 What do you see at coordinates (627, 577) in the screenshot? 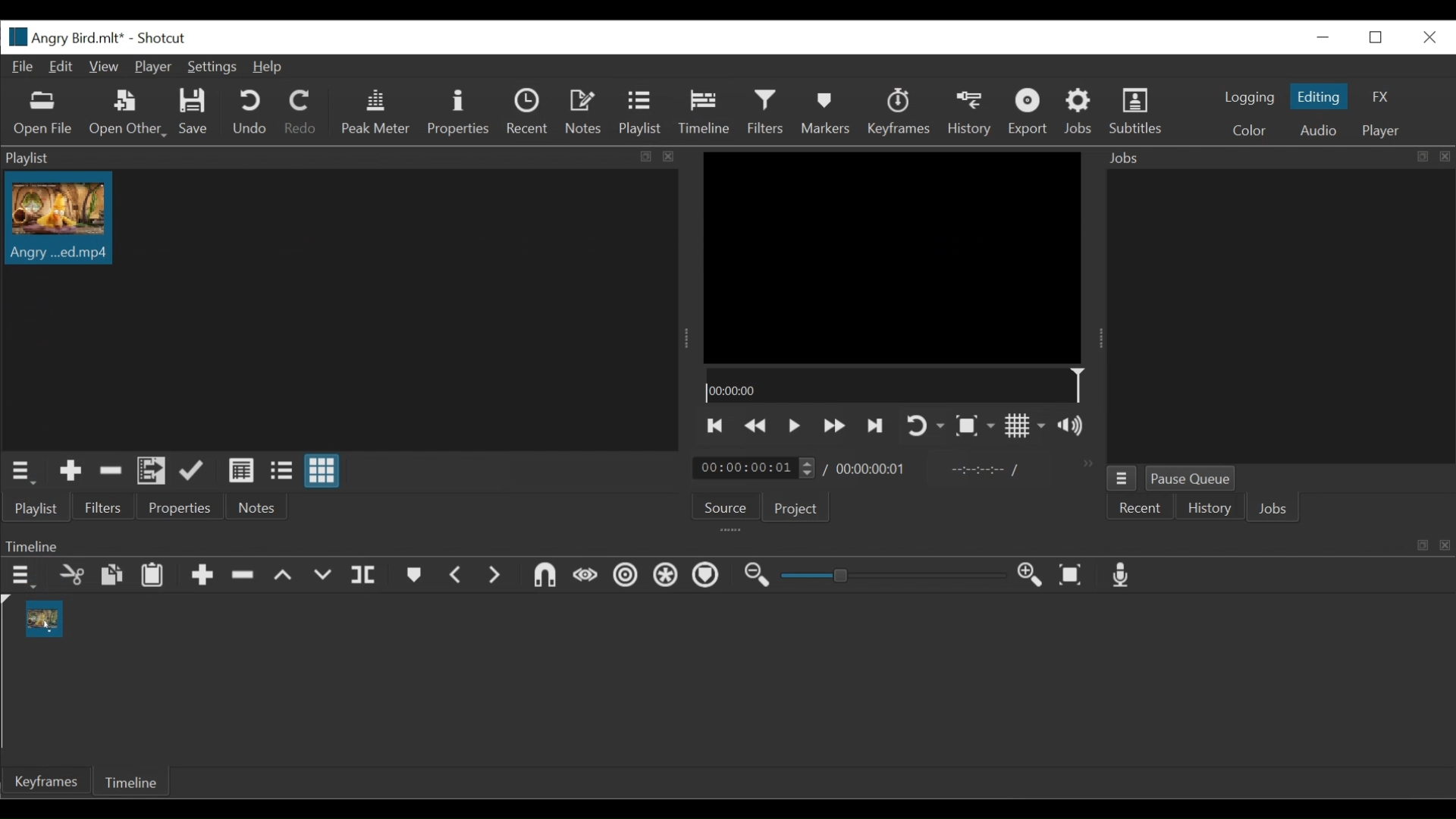
I see `Ripple` at bounding box center [627, 577].